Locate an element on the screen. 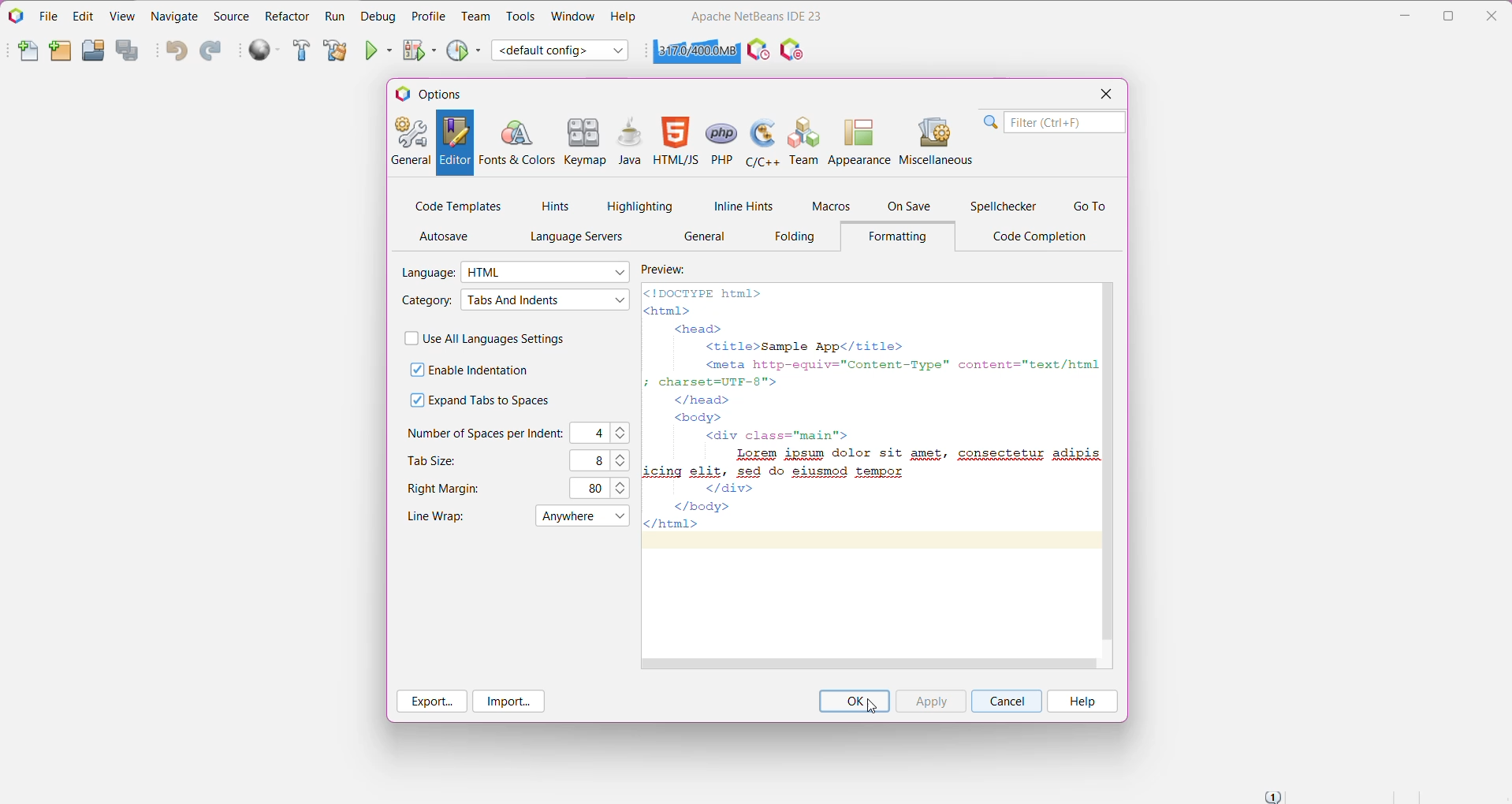  Team is located at coordinates (475, 17).